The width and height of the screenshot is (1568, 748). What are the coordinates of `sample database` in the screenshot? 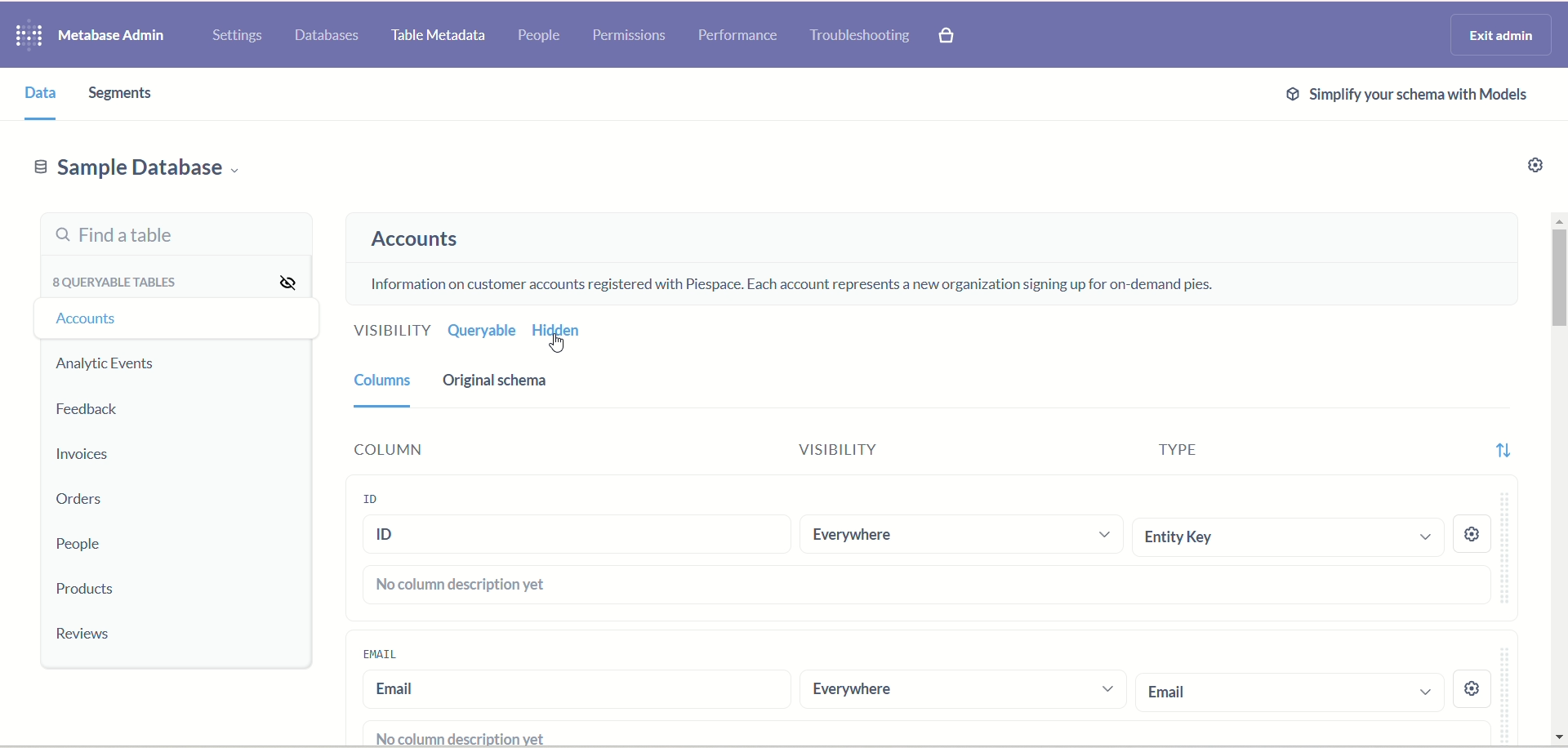 It's located at (158, 172).